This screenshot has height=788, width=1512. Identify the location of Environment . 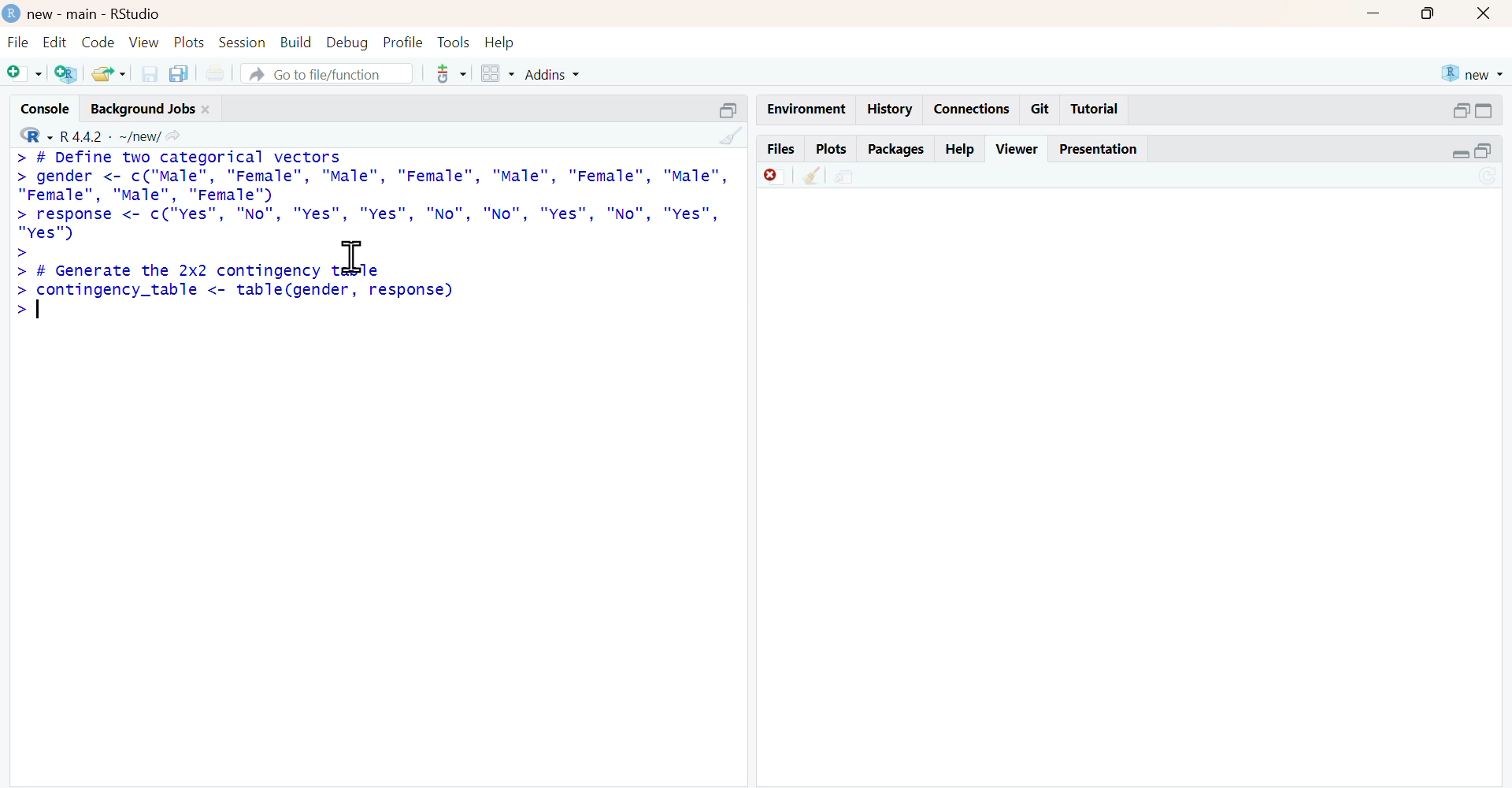
(808, 109).